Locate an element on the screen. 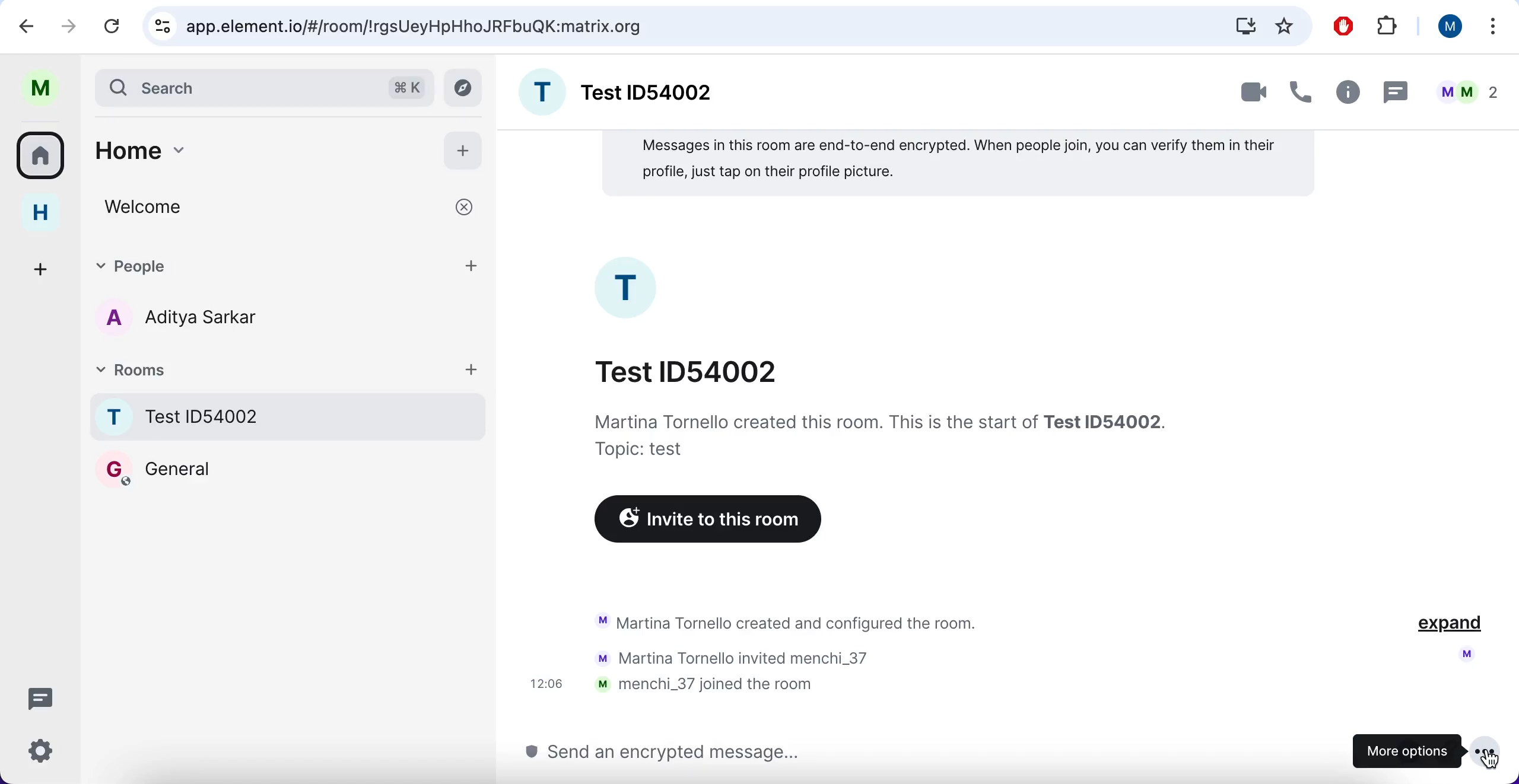  favorites is located at coordinates (1285, 26).